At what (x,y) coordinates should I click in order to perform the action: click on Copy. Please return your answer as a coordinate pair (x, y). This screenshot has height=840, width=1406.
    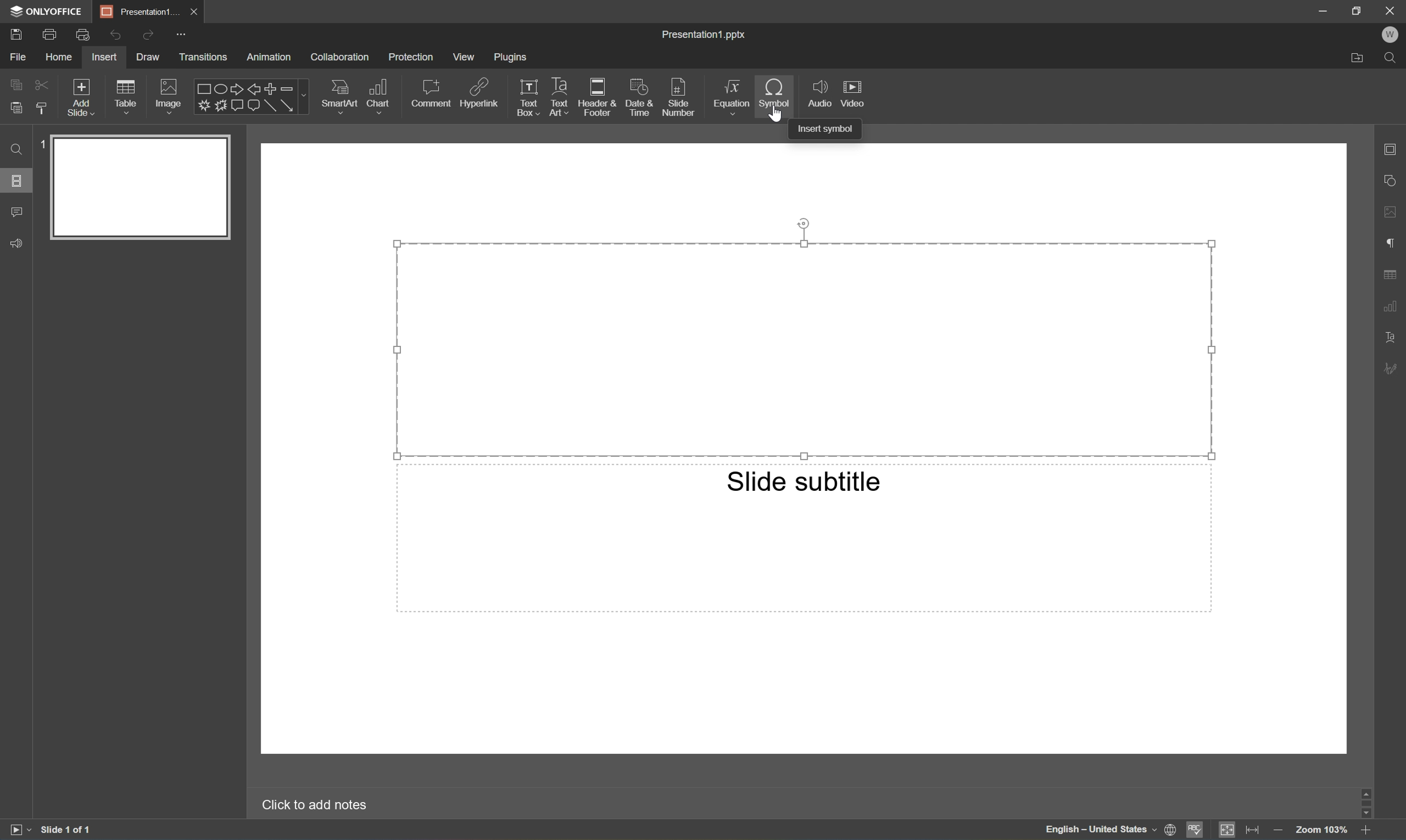
    Looking at the image, I should click on (13, 83).